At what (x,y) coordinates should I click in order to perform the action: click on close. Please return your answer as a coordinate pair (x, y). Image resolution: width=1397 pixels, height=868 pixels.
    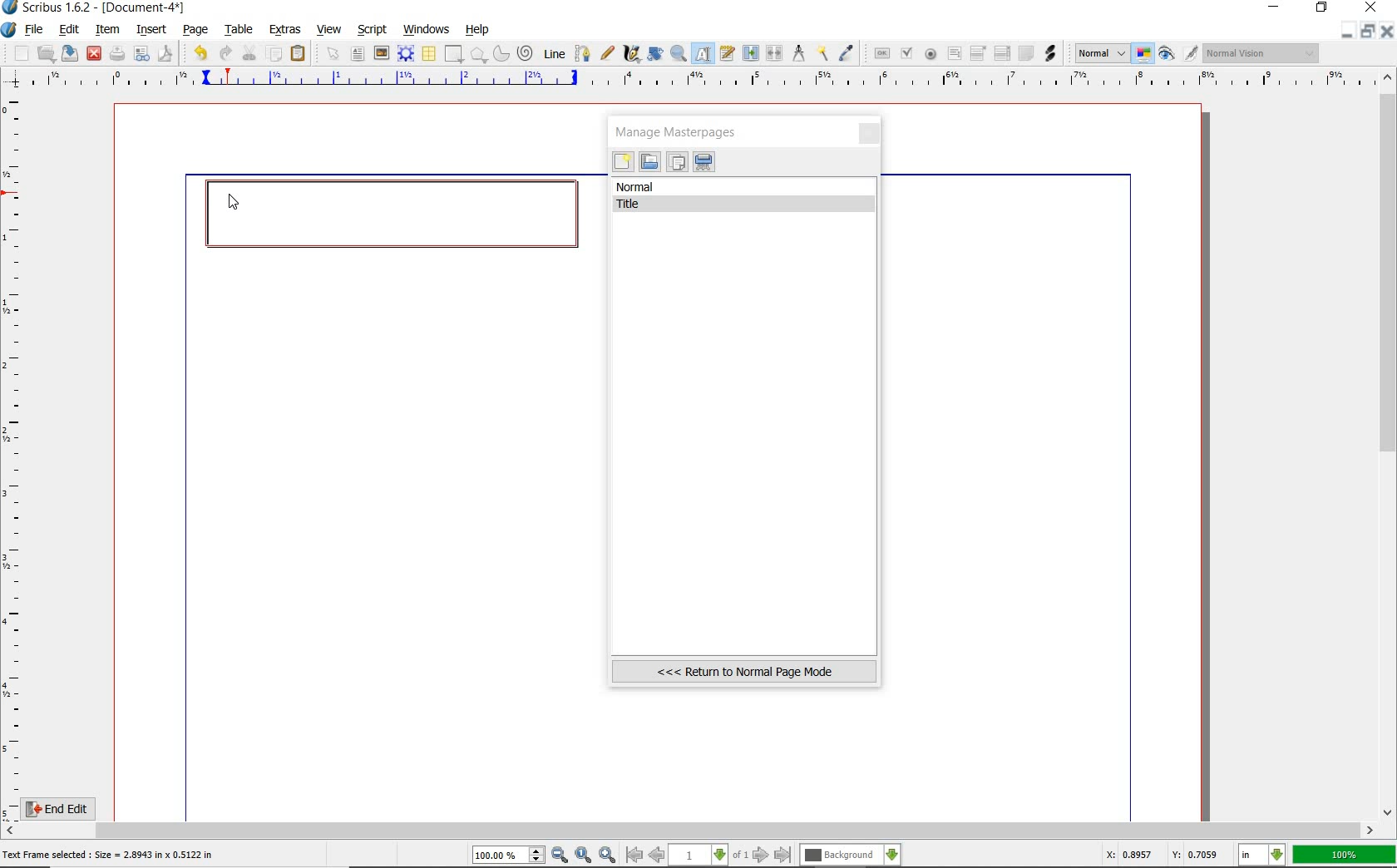
    Looking at the image, I should click on (1389, 31).